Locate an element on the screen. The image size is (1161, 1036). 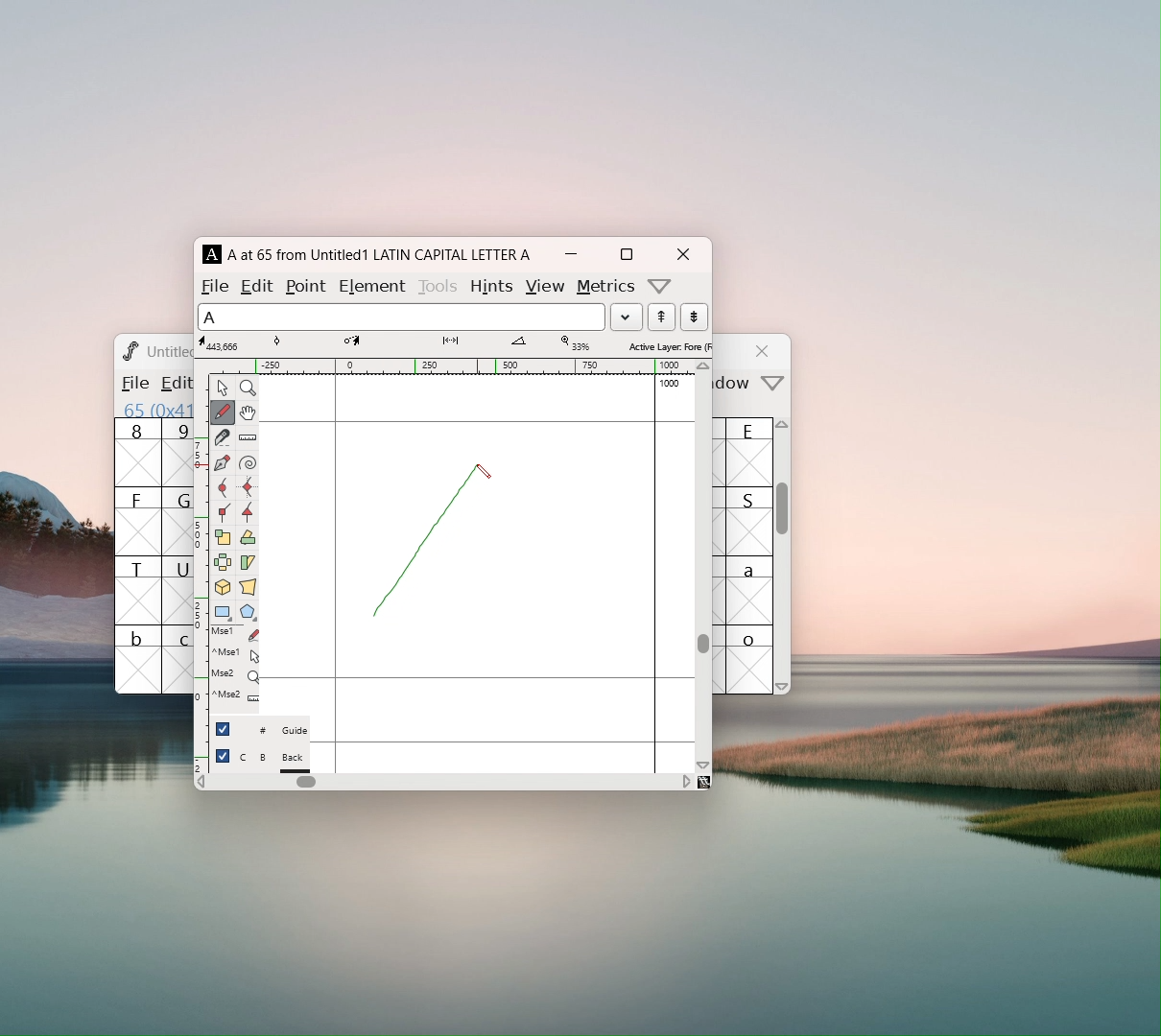
pointer is located at coordinates (223, 388).